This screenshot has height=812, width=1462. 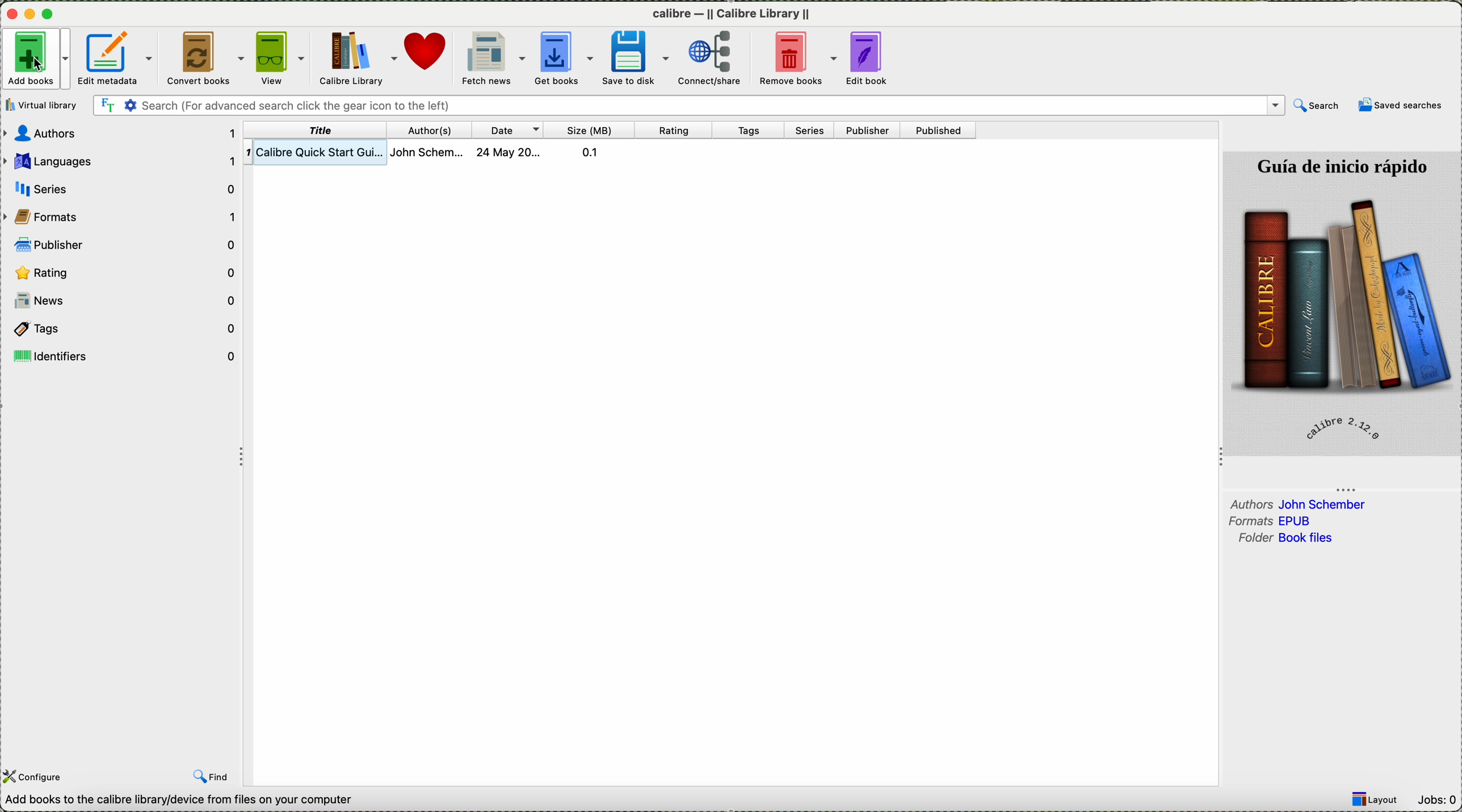 I want to click on date, so click(x=510, y=129).